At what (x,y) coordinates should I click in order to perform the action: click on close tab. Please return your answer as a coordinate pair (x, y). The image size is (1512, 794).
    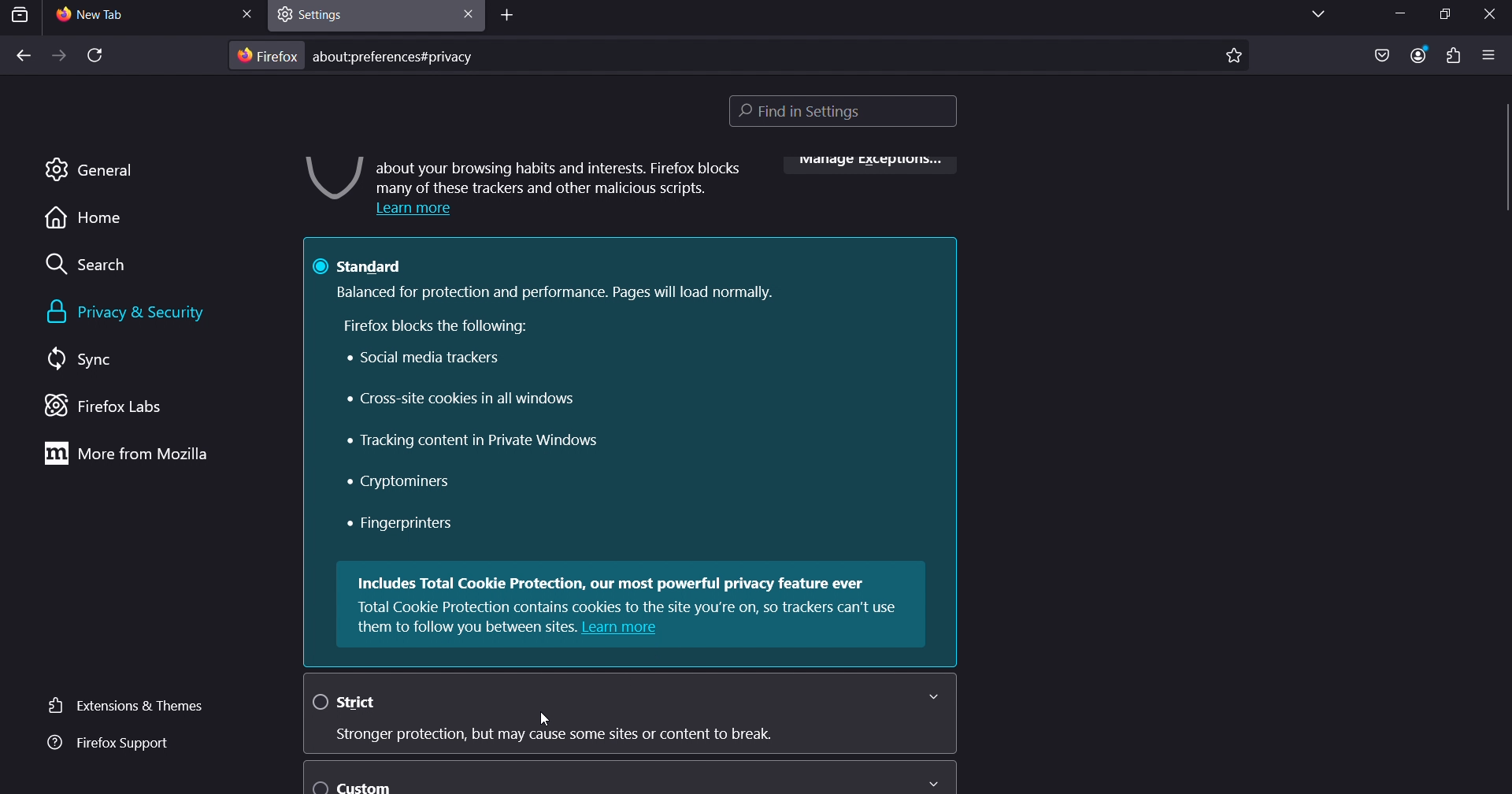
    Looking at the image, I should click on (465, 13).